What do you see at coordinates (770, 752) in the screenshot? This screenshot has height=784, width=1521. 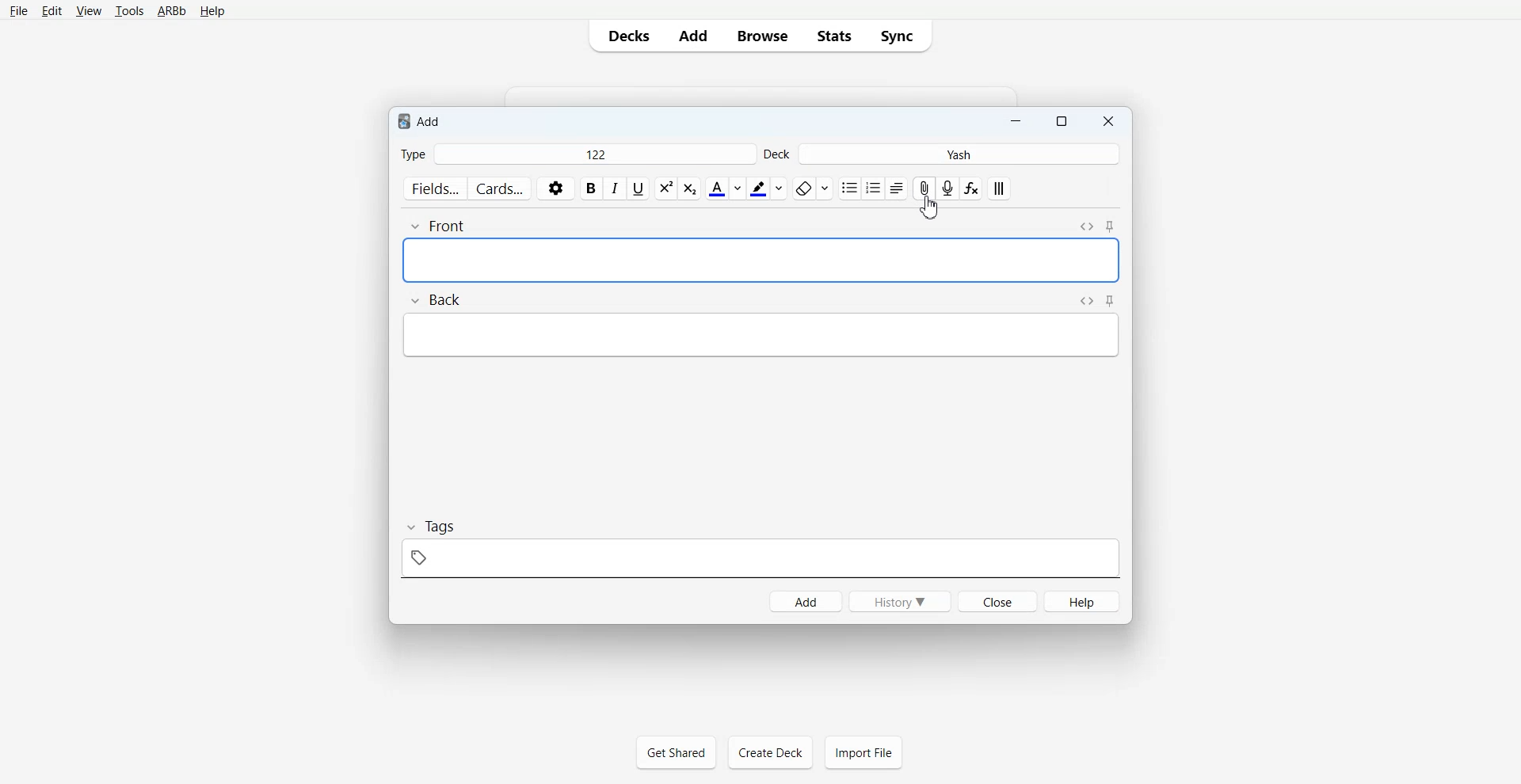 I see `Create Deck` at bounding box center [770, 752].